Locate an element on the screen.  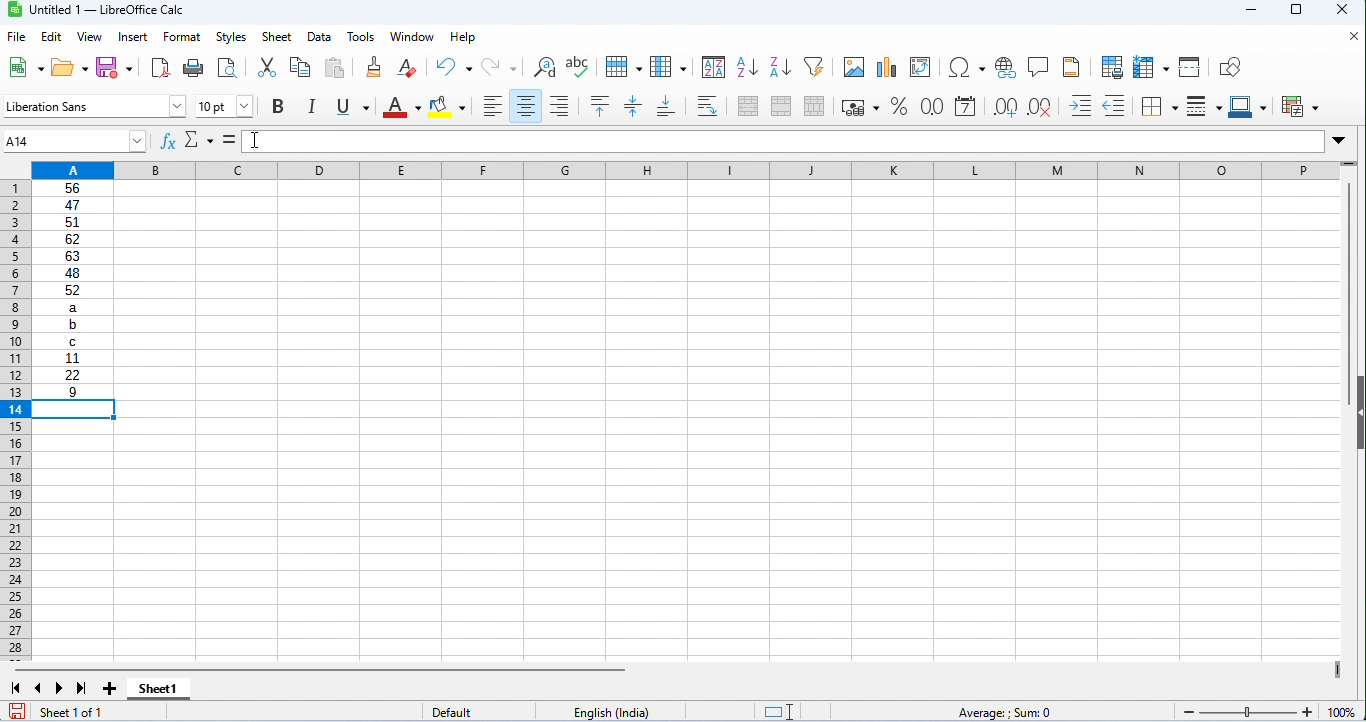
save is located at coordinates (116, 68).